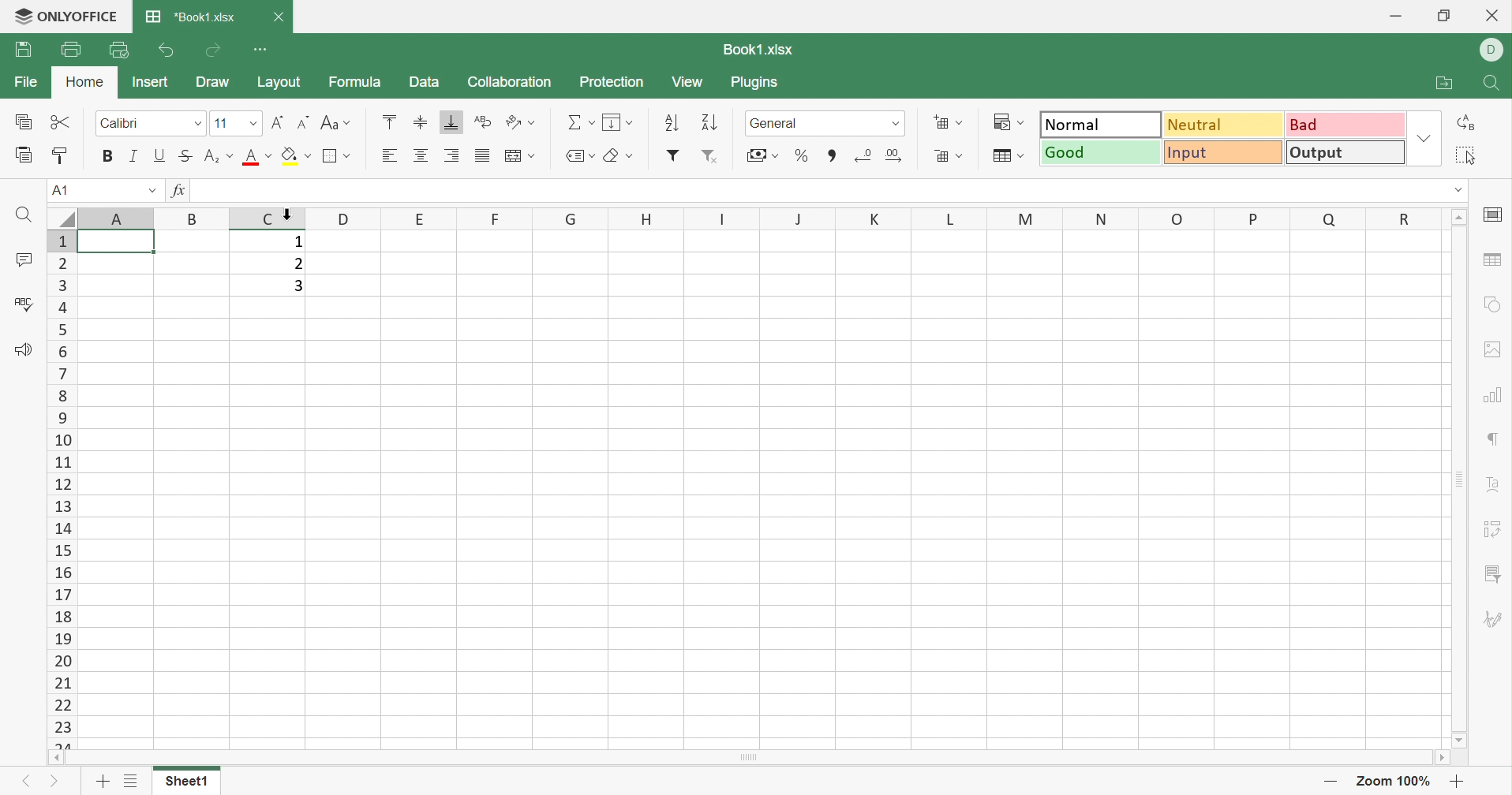  What do you see at coordinates (388, 156) in the screenshot?
I see `Align Left` at bounding box center [388, 156].